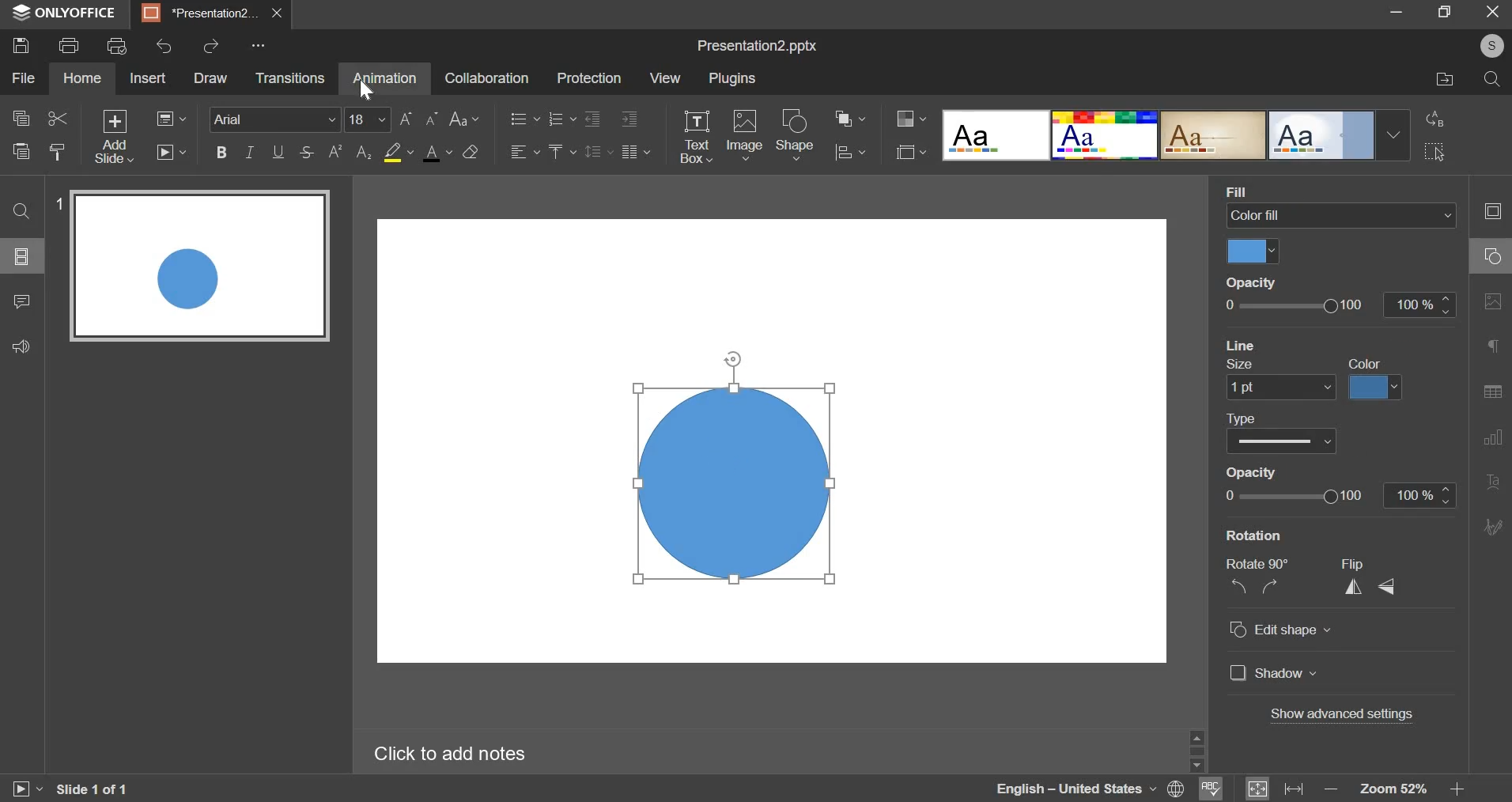 The image size is (1512, 802). What do you see at coordinates (909, 154) in the screenshot?
I see `select slide size` at bounding box center [909, 154].